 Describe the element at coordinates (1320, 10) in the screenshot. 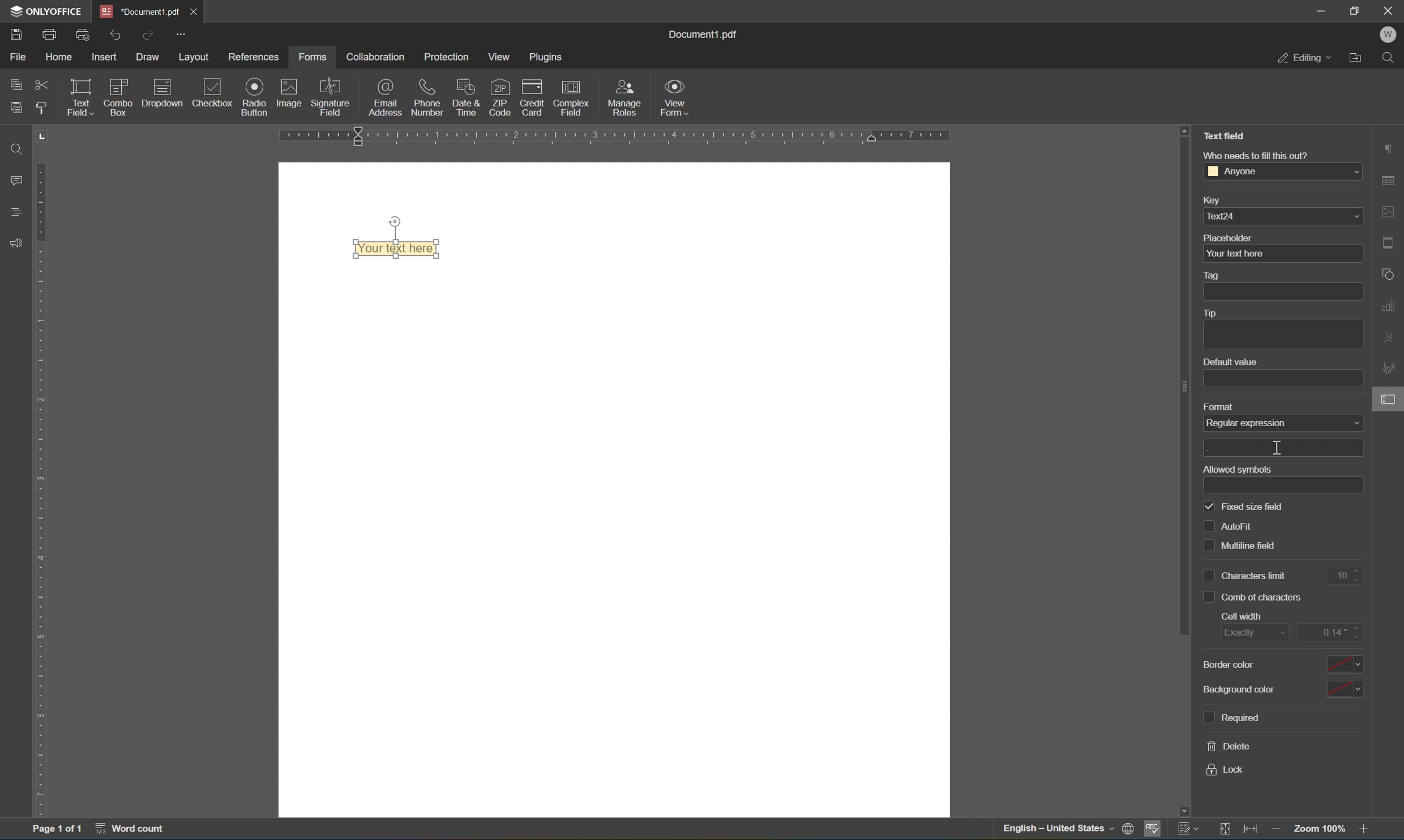

I see `minimize` at that location.